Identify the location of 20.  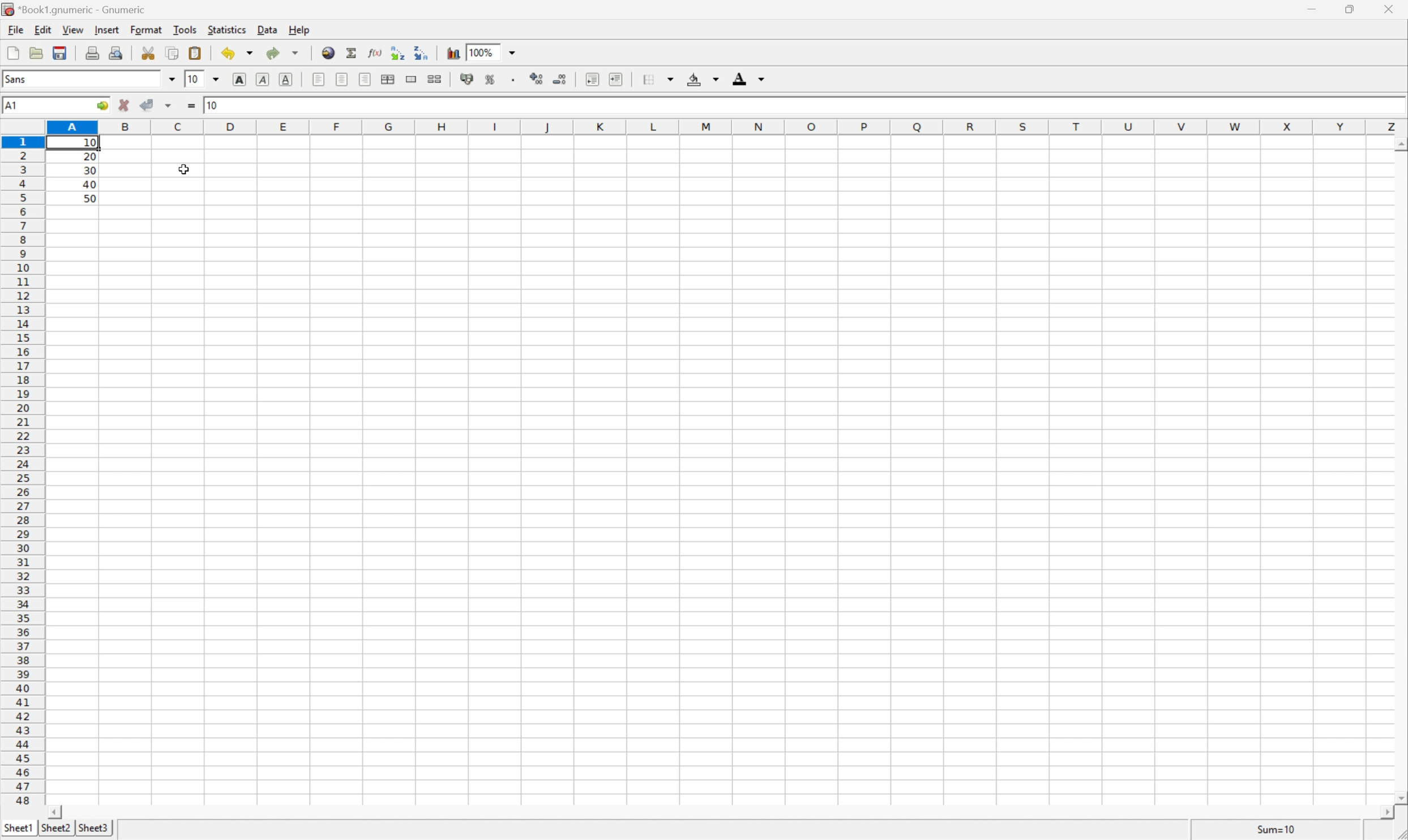
(91, 156).